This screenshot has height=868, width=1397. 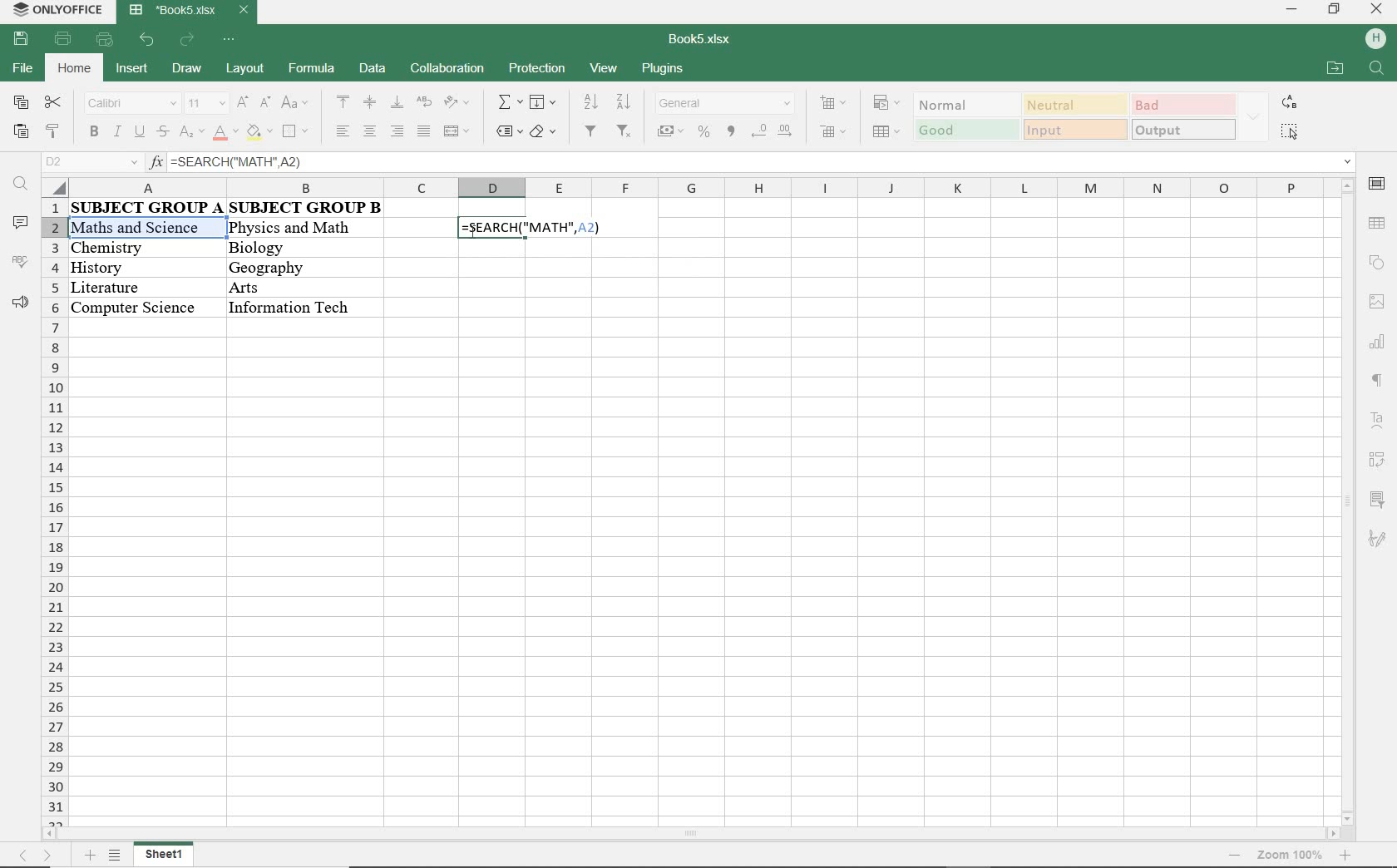 I want to click on sign, so click(x=1379, y=539).